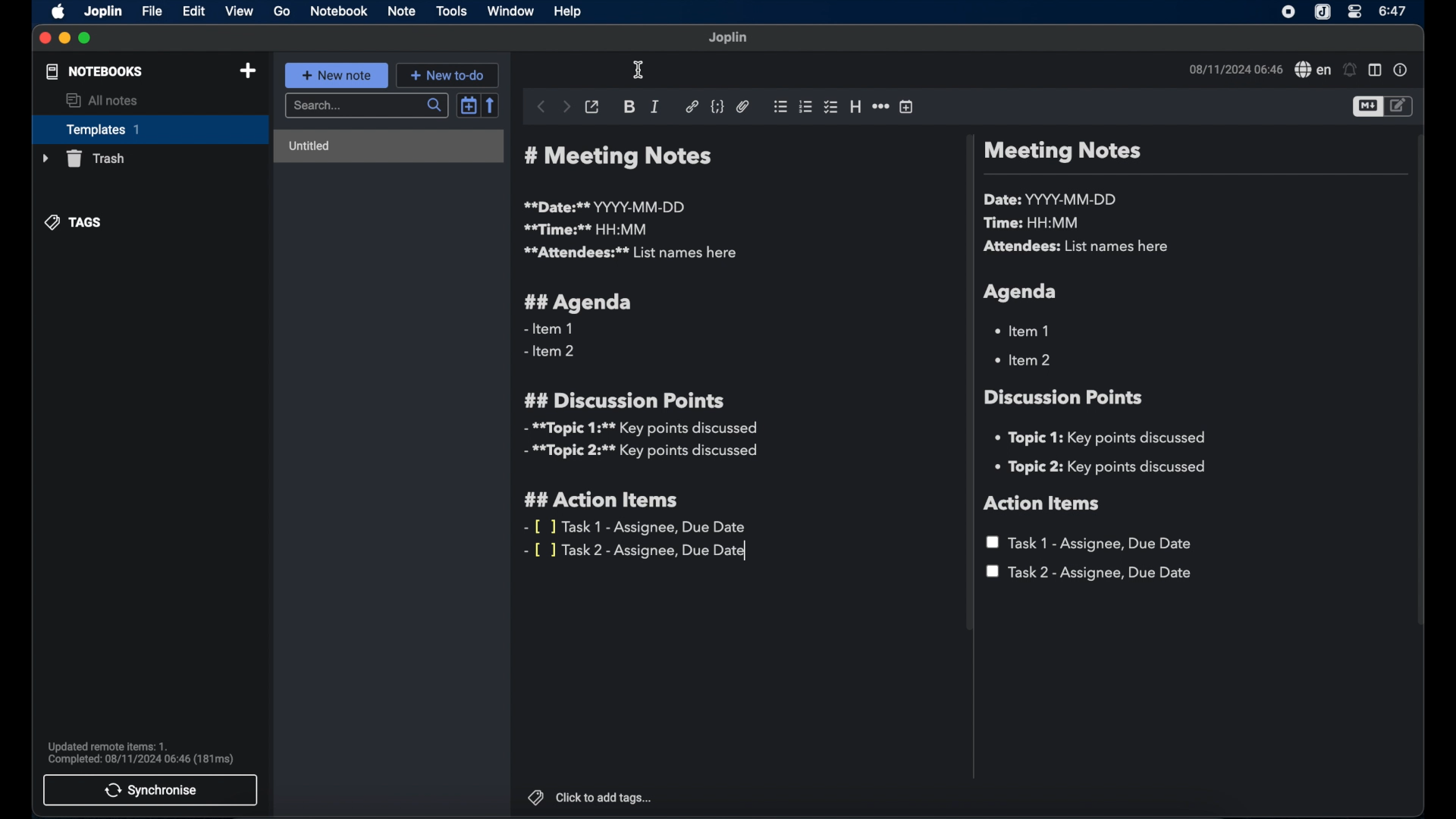 This screenshot has height=819, width=1456. Describe the element at coordinates (655, 106) in the screenshot. I see `italic` at that location.